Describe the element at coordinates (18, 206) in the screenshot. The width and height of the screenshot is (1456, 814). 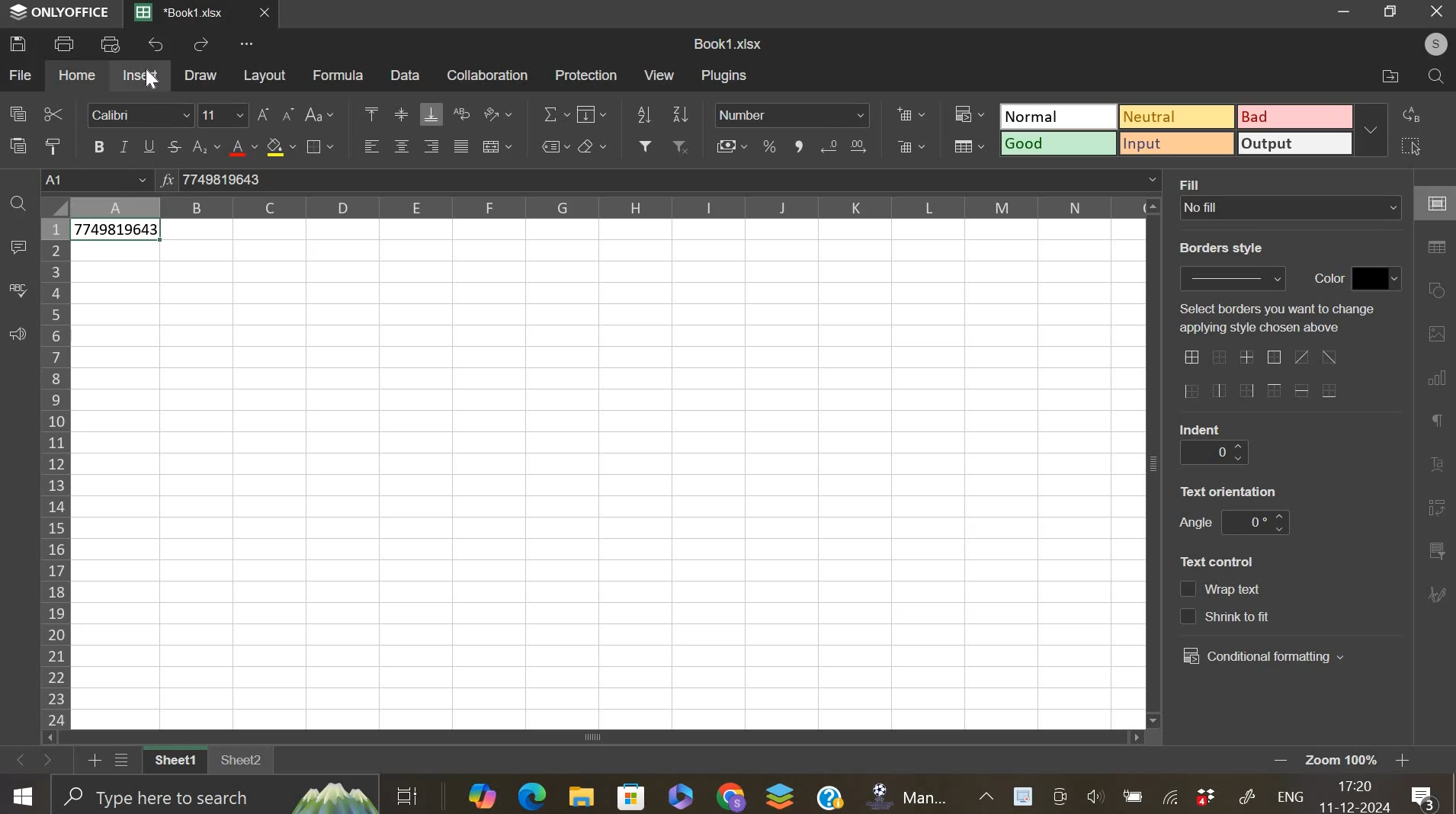
I see `find` at that location.